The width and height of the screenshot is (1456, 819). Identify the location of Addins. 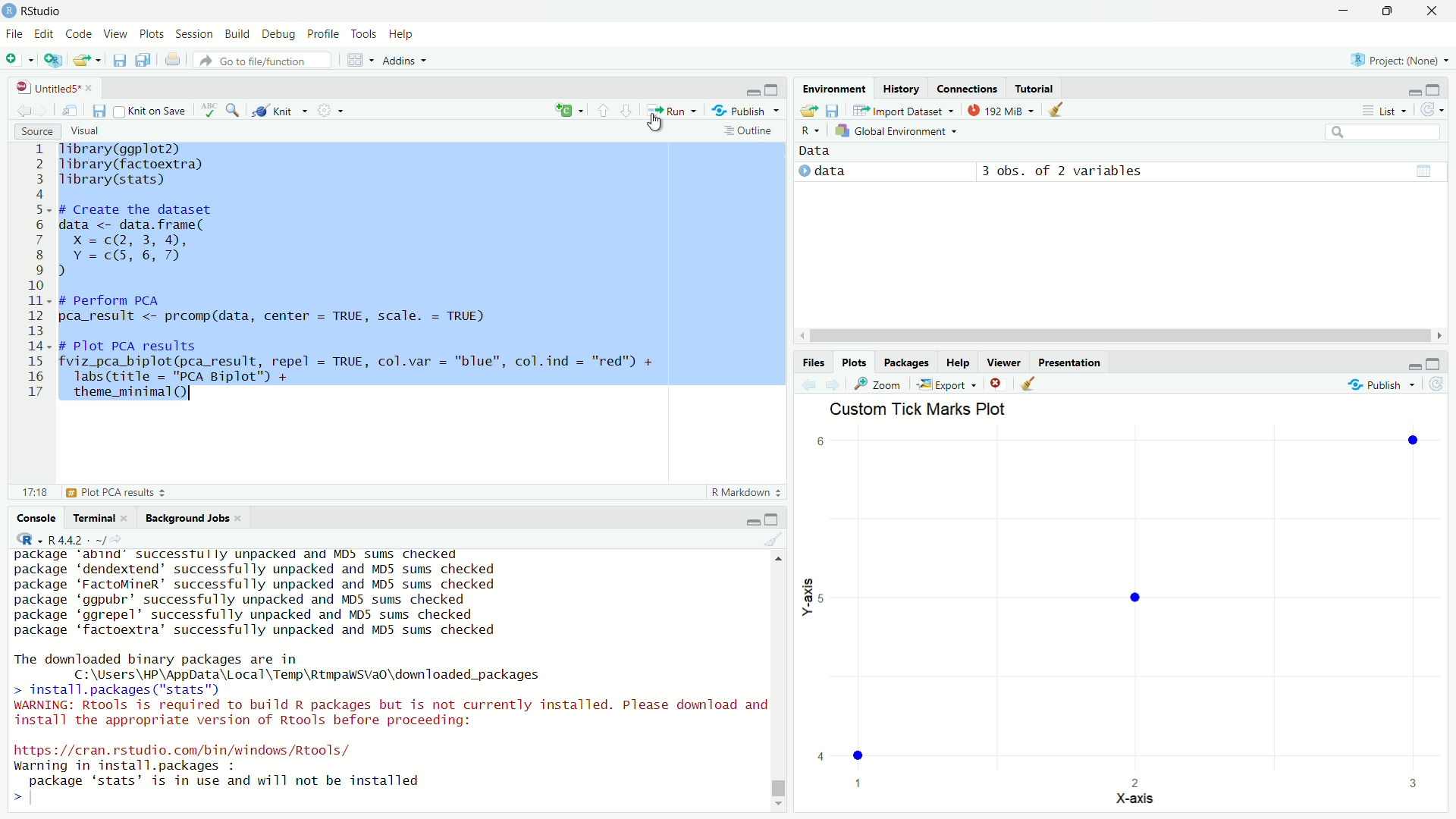
(405, 60).